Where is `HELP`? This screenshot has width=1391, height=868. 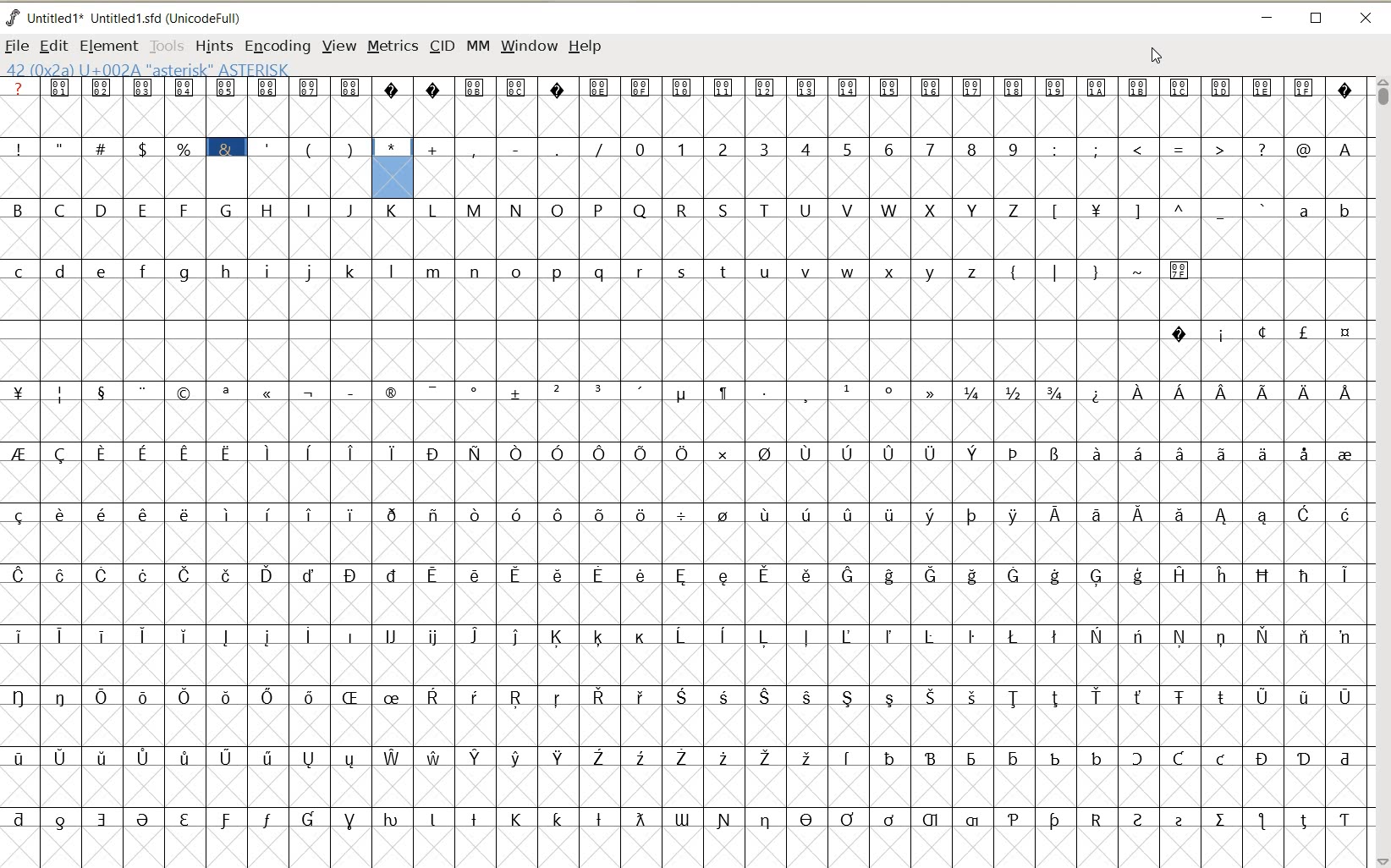 HELP is located at coordinates (585, 47).